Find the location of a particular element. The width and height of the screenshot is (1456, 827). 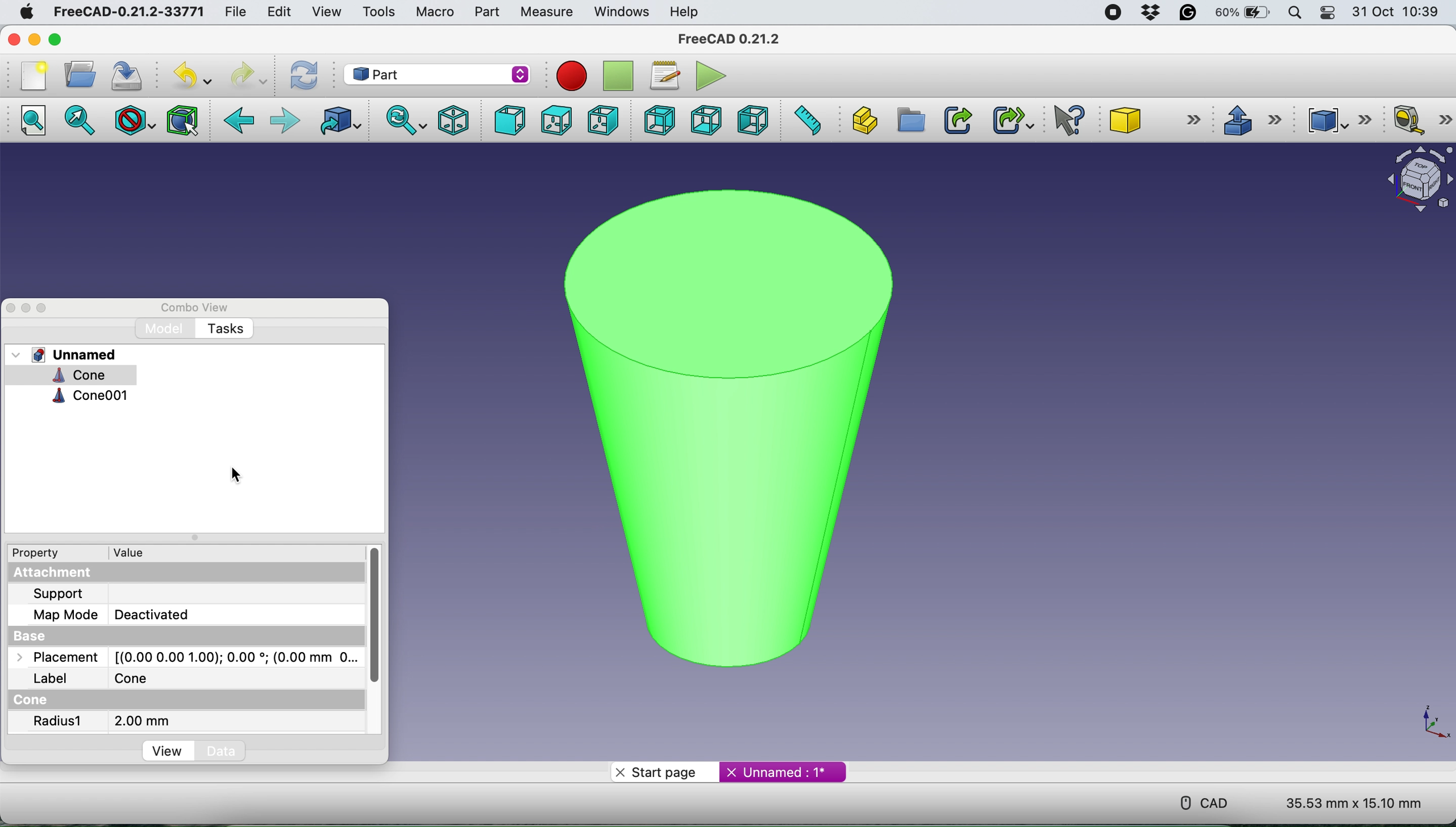

file is located at coordinates (231, 11).